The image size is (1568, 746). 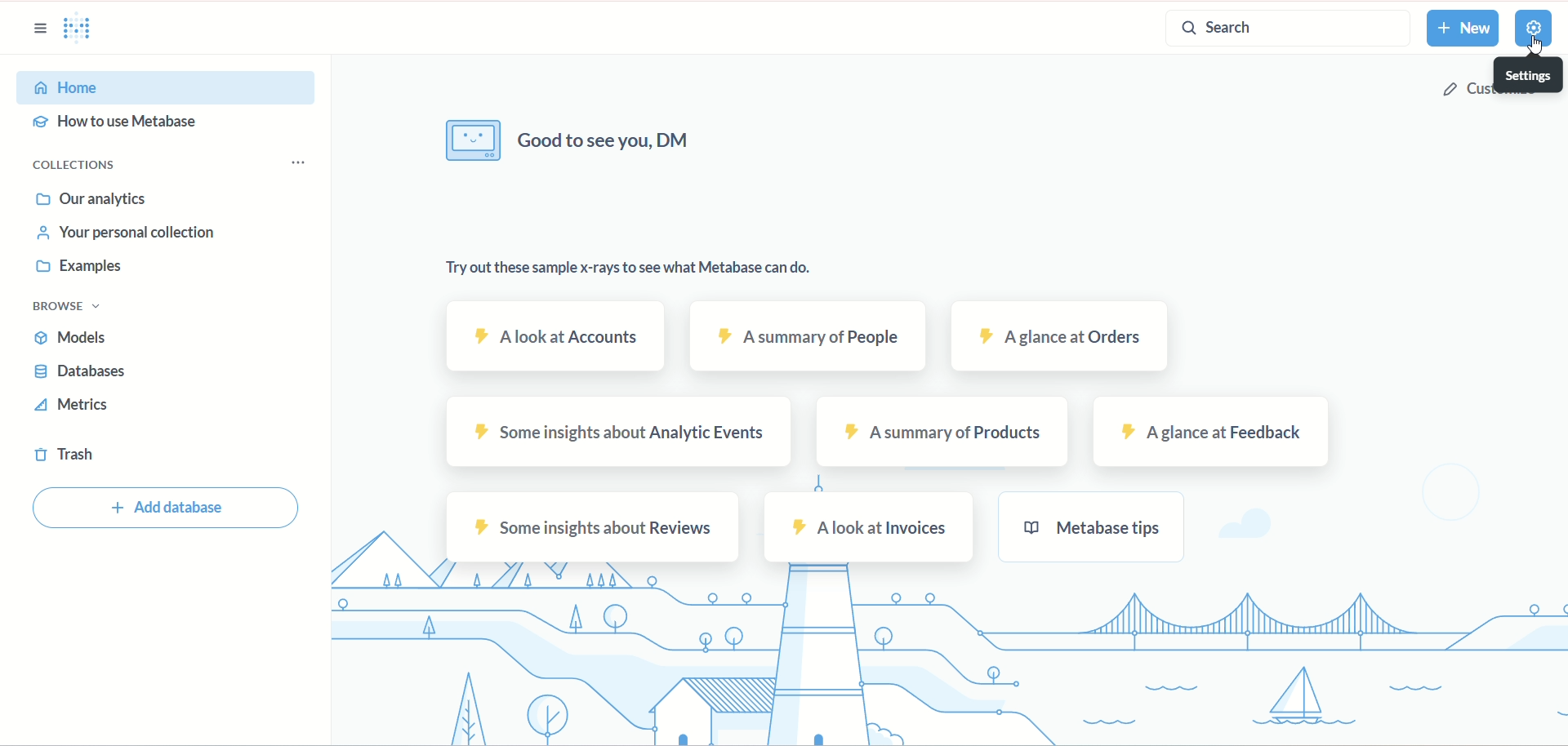 I want to click on some insight about reviews, so click(x=595, y=528).